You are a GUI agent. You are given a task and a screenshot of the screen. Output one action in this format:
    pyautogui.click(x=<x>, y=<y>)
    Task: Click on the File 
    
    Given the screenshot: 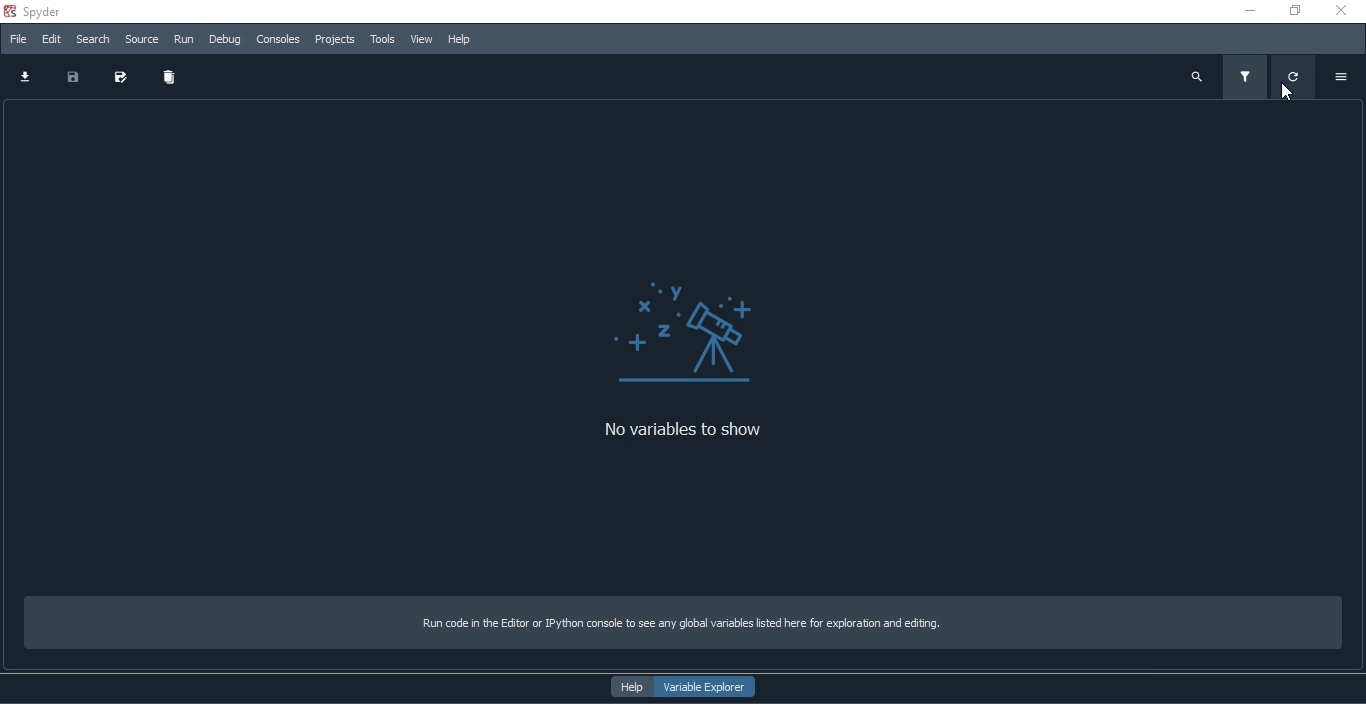 What is the action you would take?
    pyautogui.click(x=16, y=38)
    